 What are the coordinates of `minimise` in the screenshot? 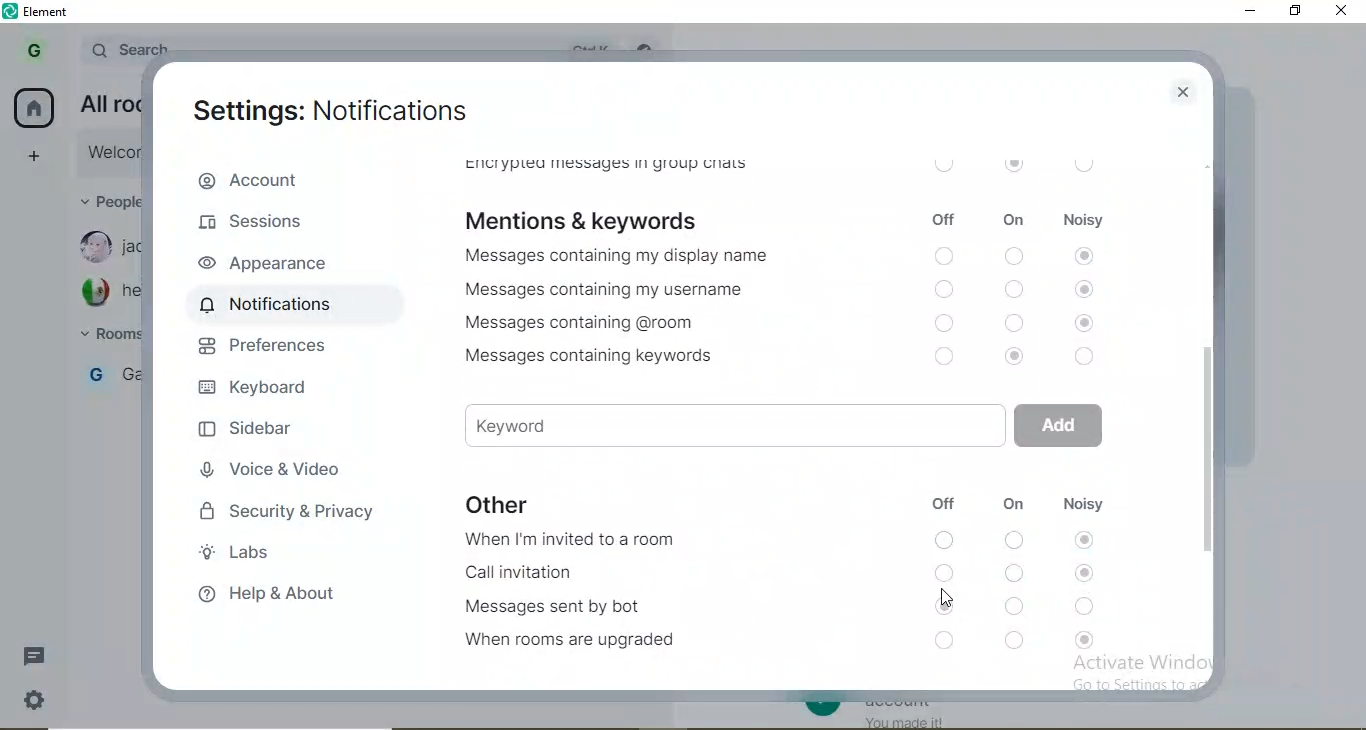 It's located at (1252, 13).